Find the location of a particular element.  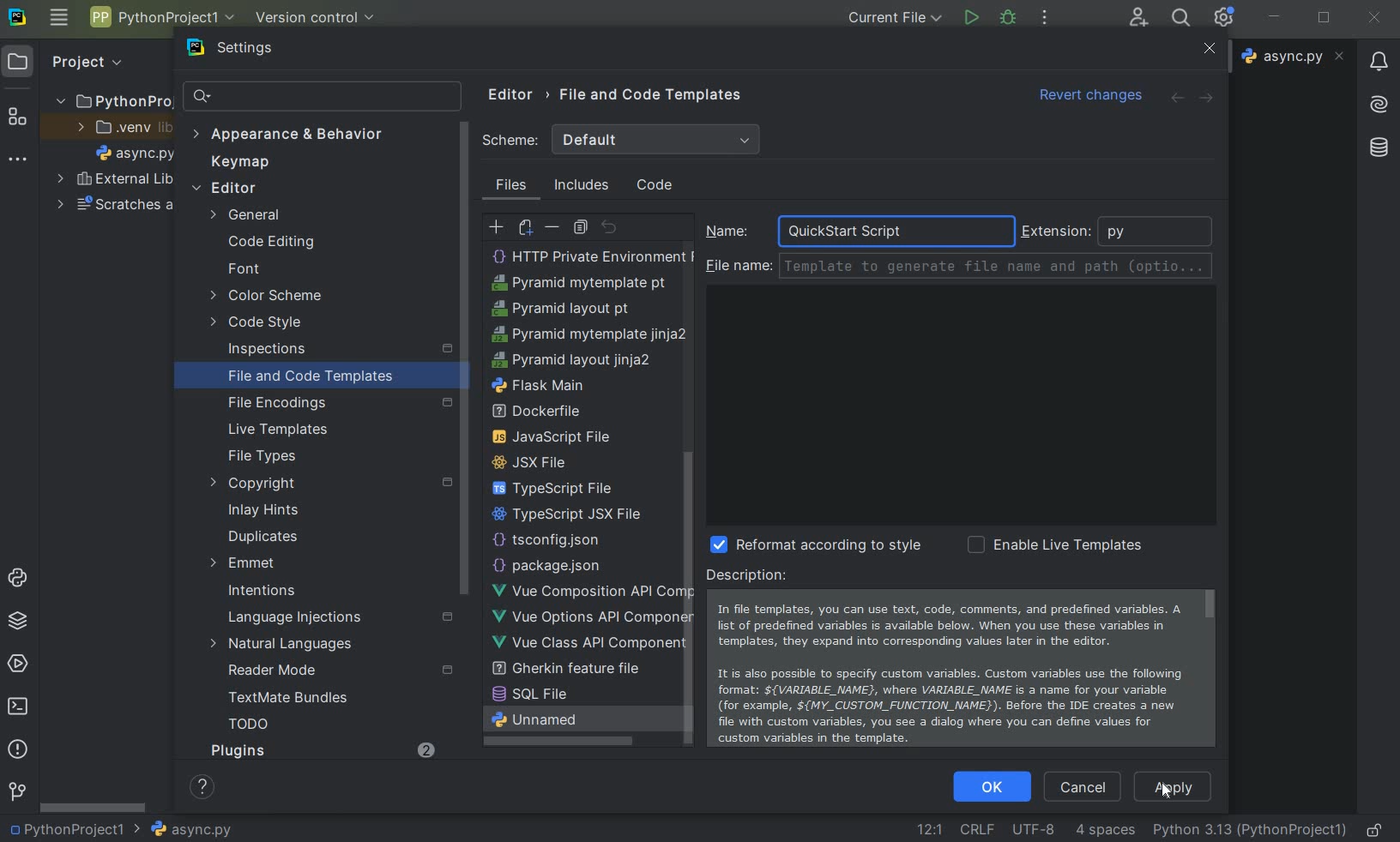

AI Assistant is located at coordinates (1374, 101).